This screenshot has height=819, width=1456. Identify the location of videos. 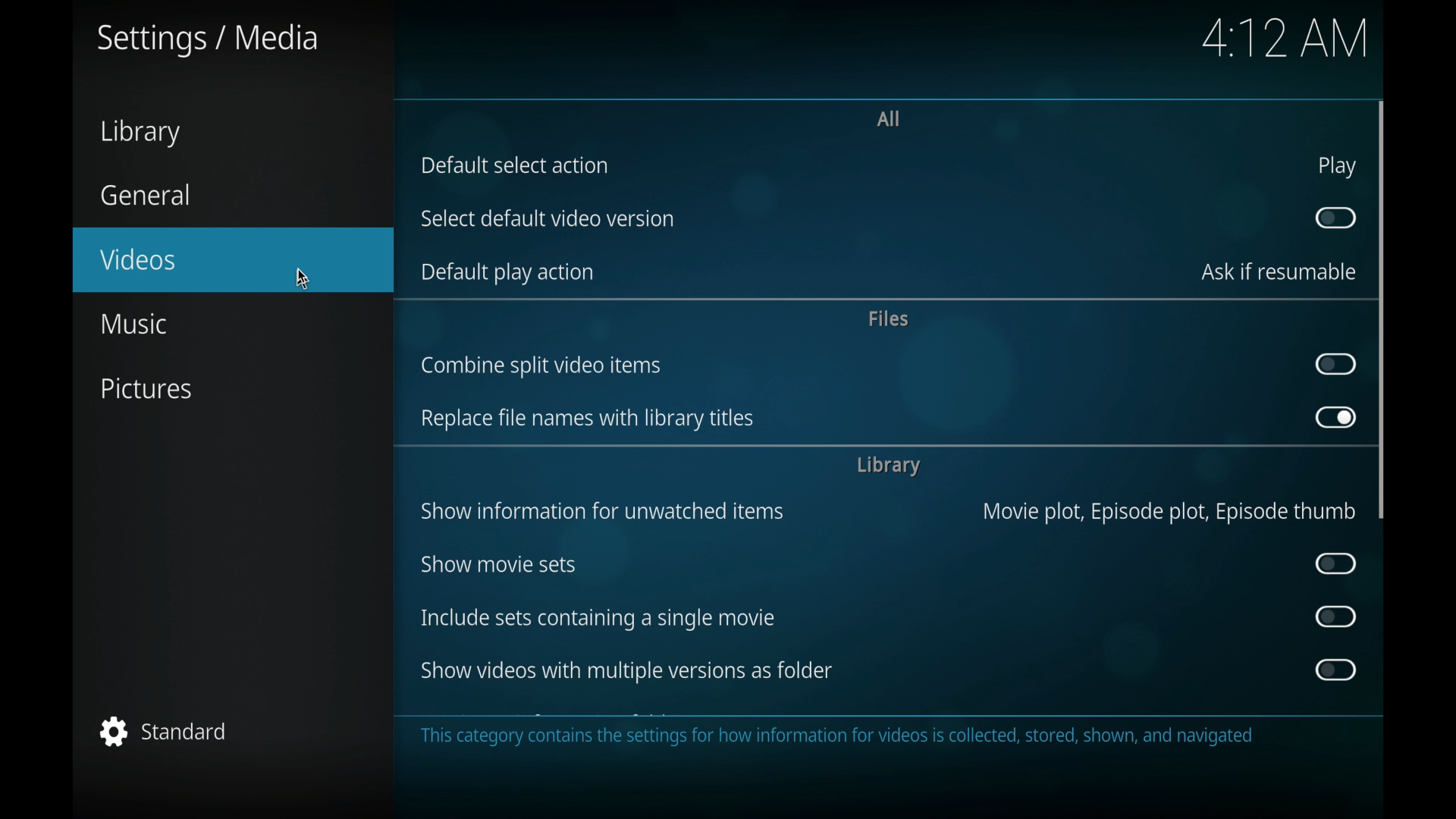
(231, 259).